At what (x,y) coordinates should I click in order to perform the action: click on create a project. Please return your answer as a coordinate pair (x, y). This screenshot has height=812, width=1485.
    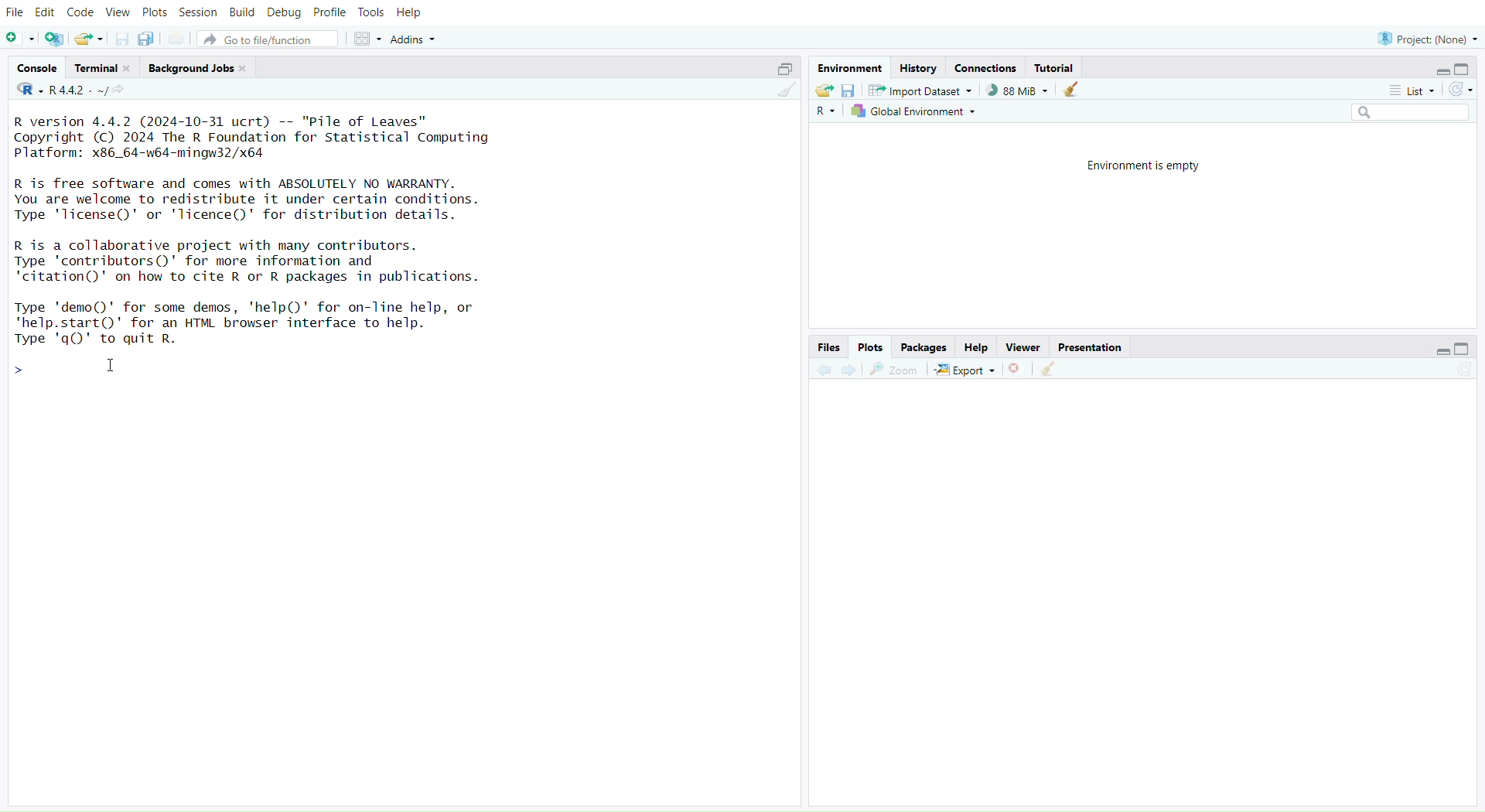
    Looking at the image, I should click on (54, 39).